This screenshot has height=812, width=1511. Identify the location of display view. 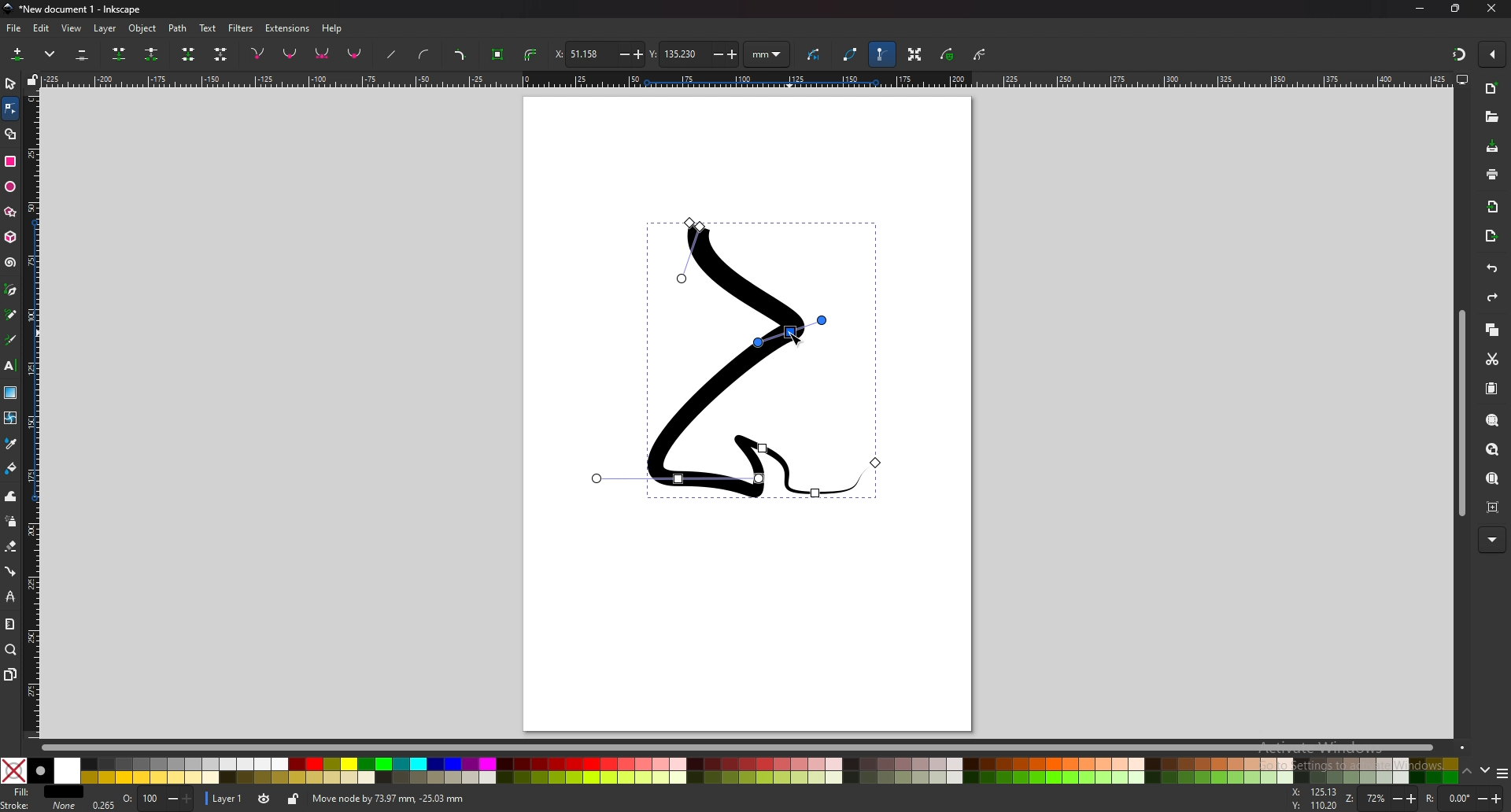
(1462, 80).